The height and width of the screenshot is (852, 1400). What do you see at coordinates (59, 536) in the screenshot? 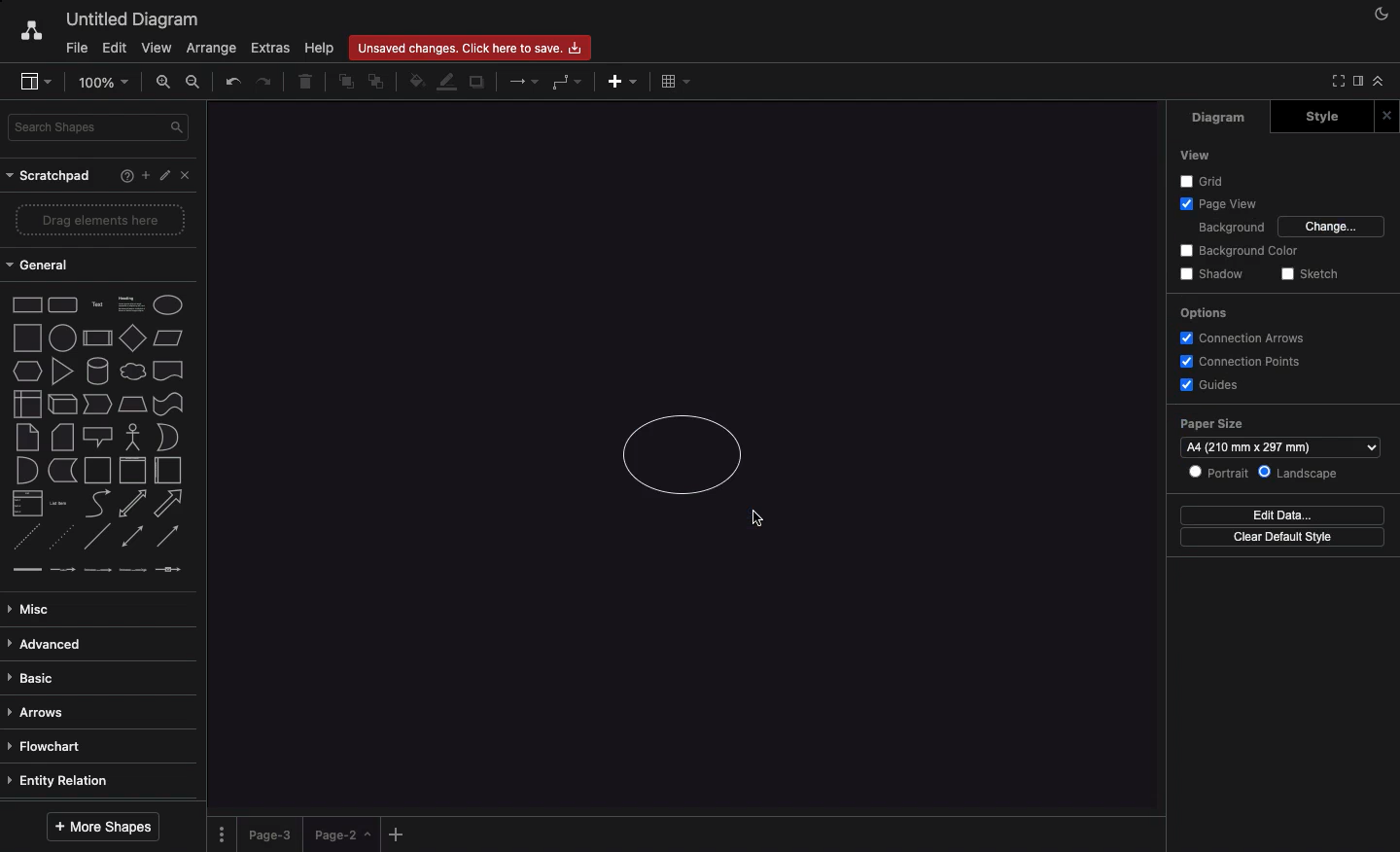
I see `dotted line` at bounding box center [59, 536].